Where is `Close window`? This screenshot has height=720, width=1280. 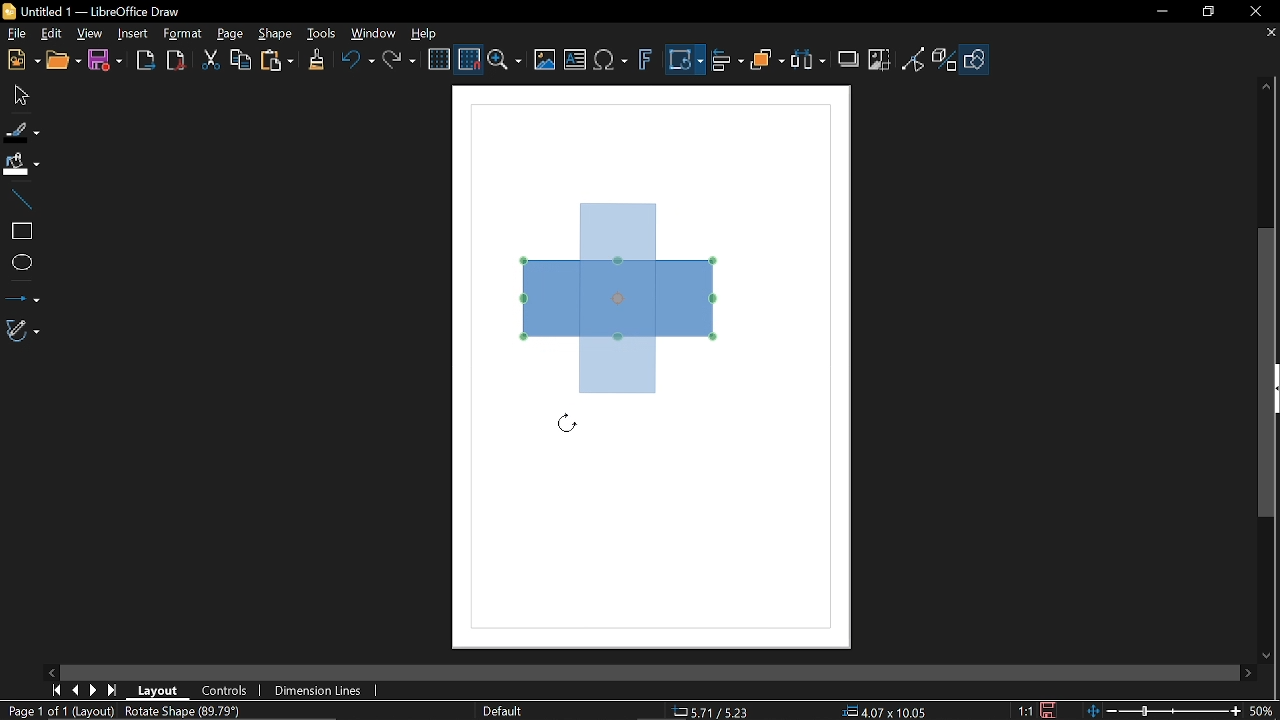 Close window is located at coordinates (1254, 11).